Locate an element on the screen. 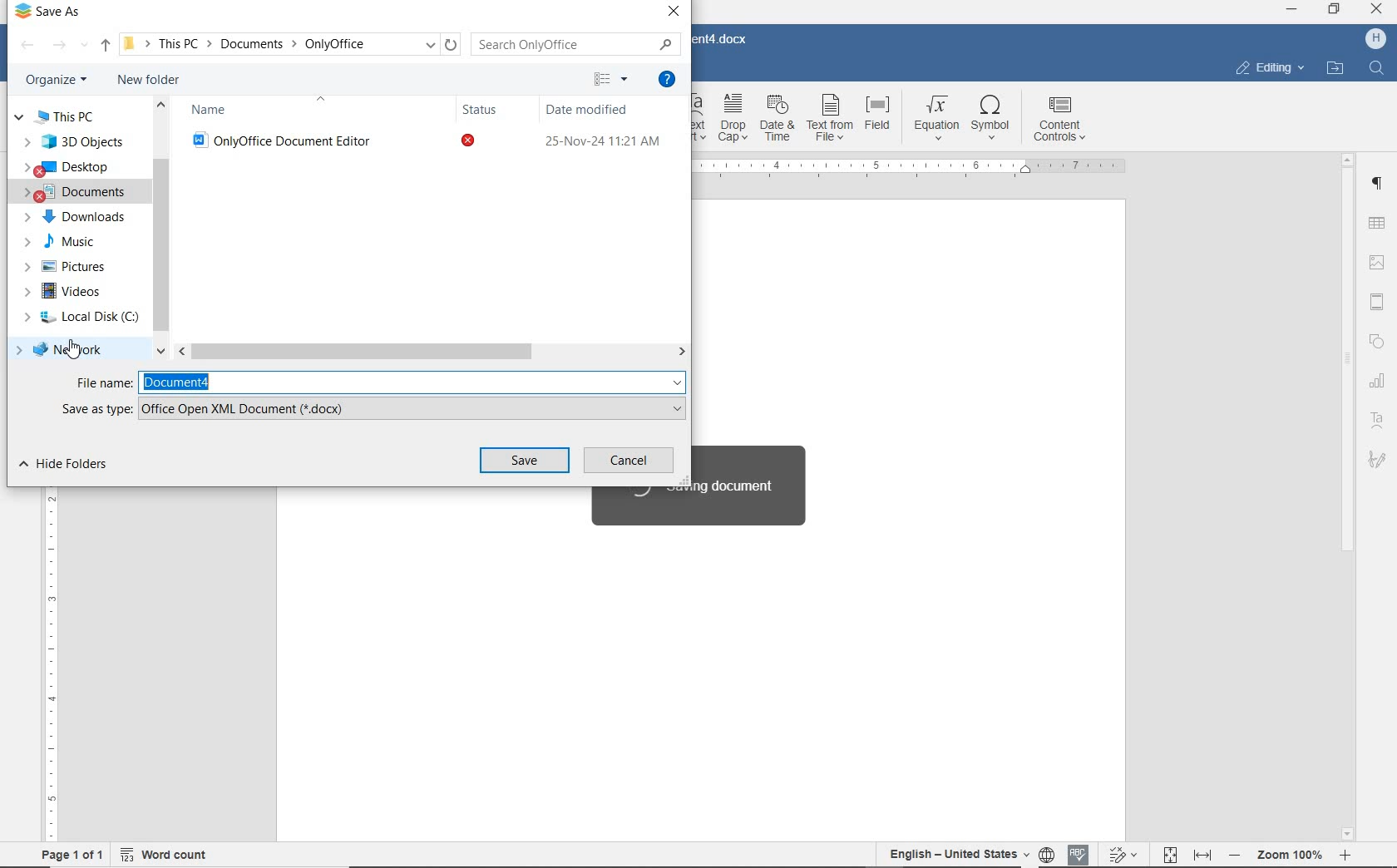  srollbar is located at coordinates (1348, 362).